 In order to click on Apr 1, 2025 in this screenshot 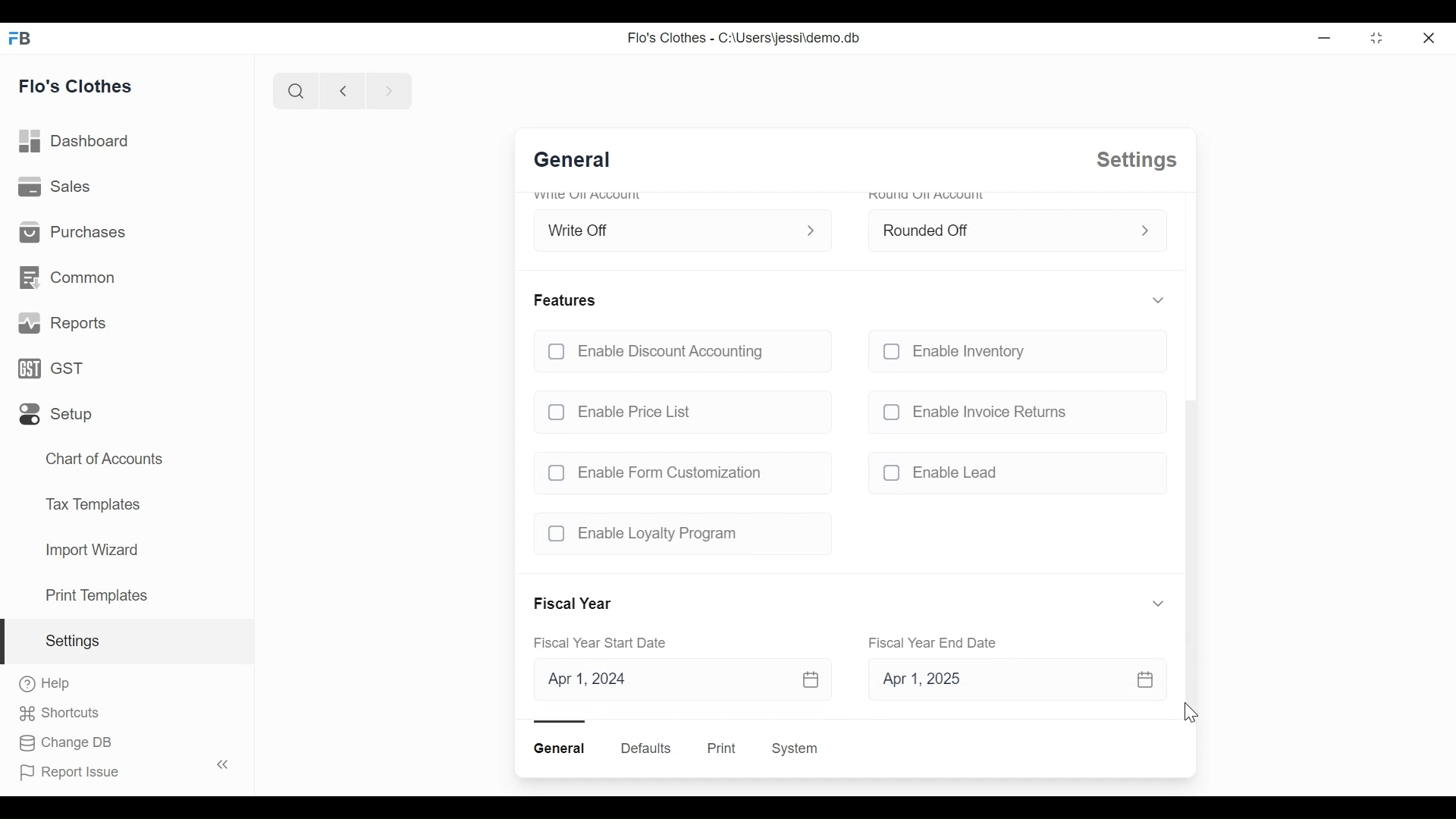, I will do `click(1007, 682)`.